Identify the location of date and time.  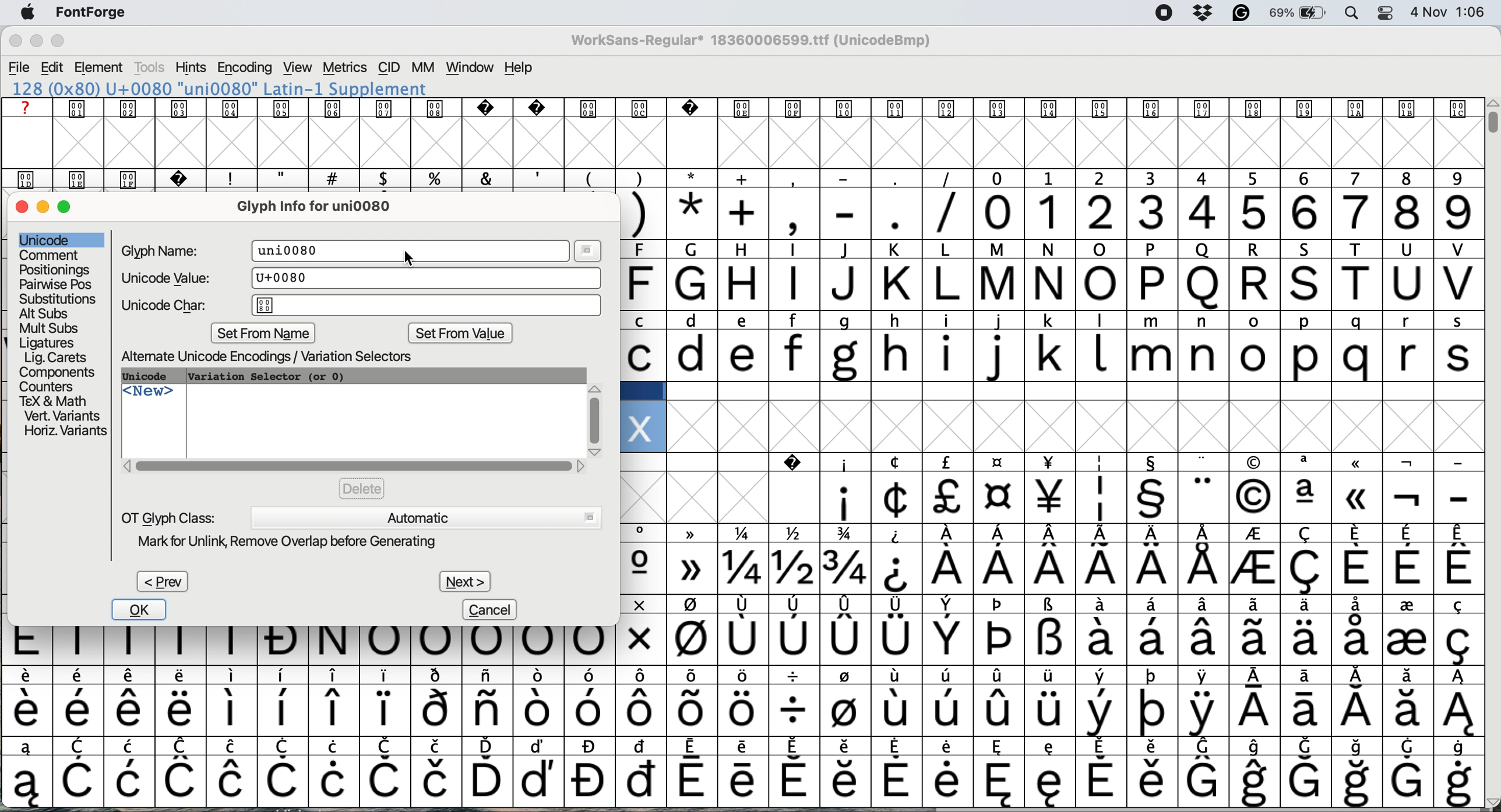
(1449, 12).